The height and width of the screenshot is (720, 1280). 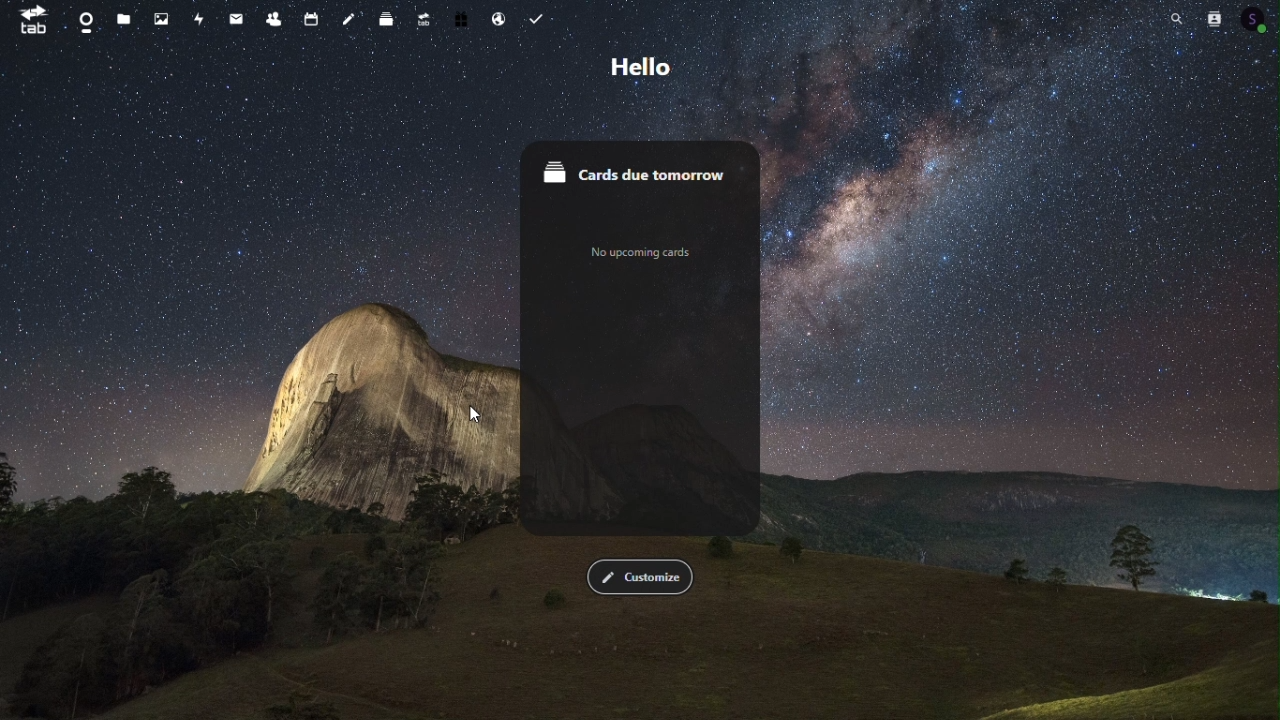 I want to click on cursor, so click(x=472, y=418).